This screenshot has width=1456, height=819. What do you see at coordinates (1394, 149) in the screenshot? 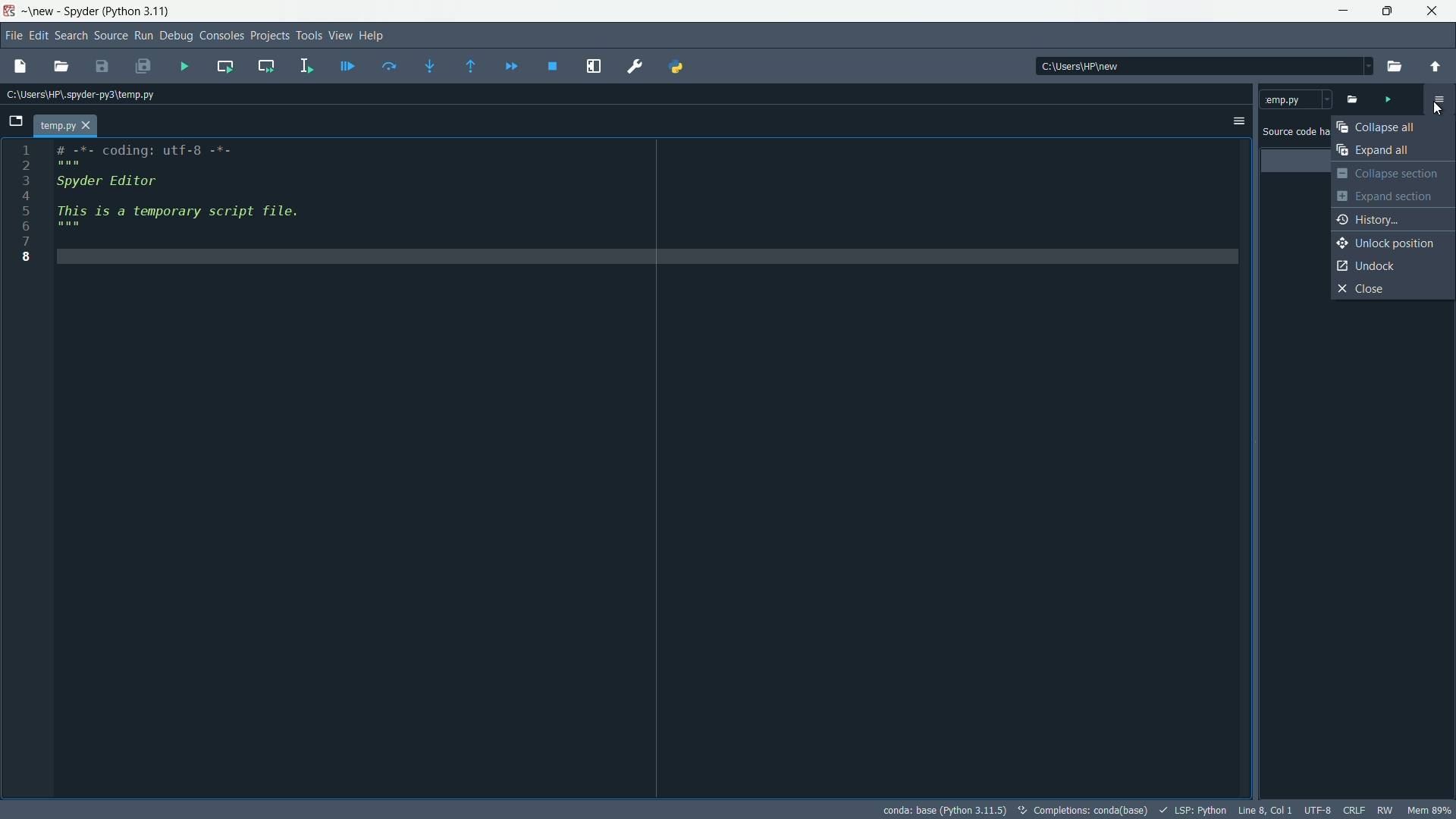
I see `expand all` at bounding box center [1394, 149].